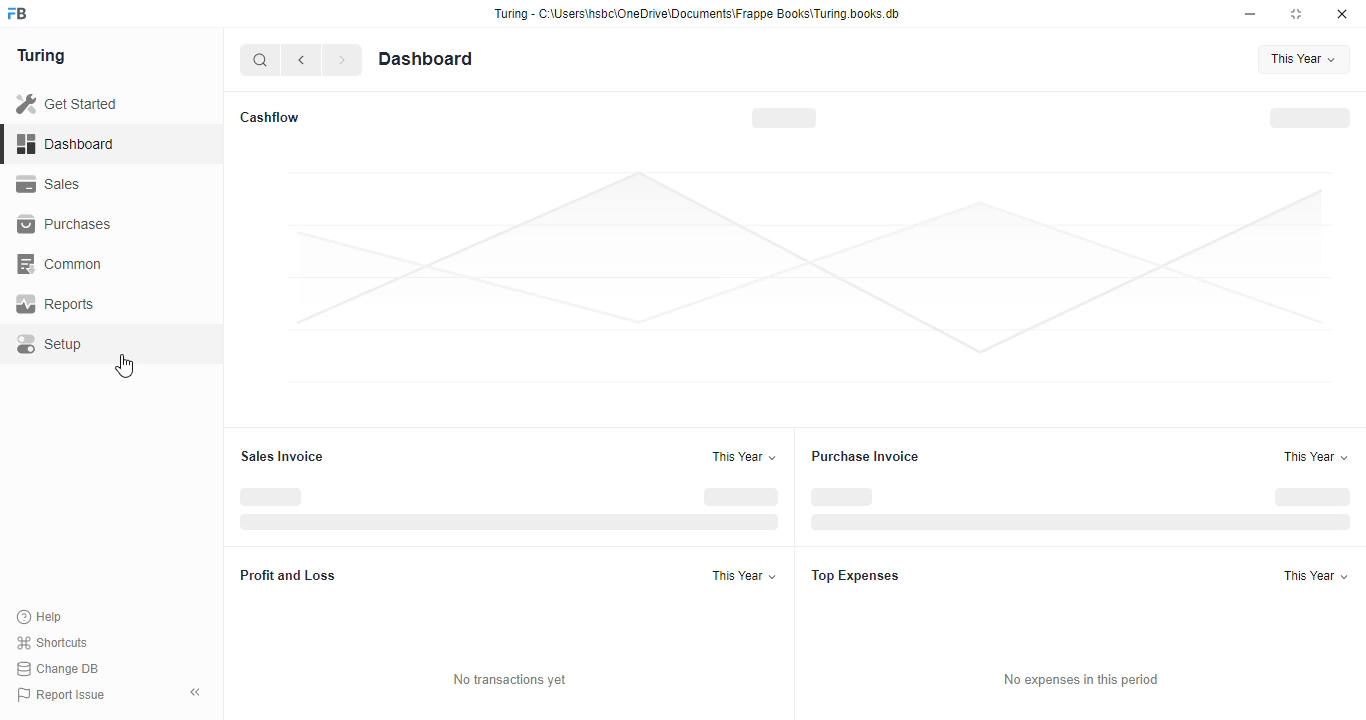 Image resolution: width=1366 pixels, height=720 pixels. Describe the element at coordinates (282, 456) in the screenshot. I see `sales invoice` at that location.